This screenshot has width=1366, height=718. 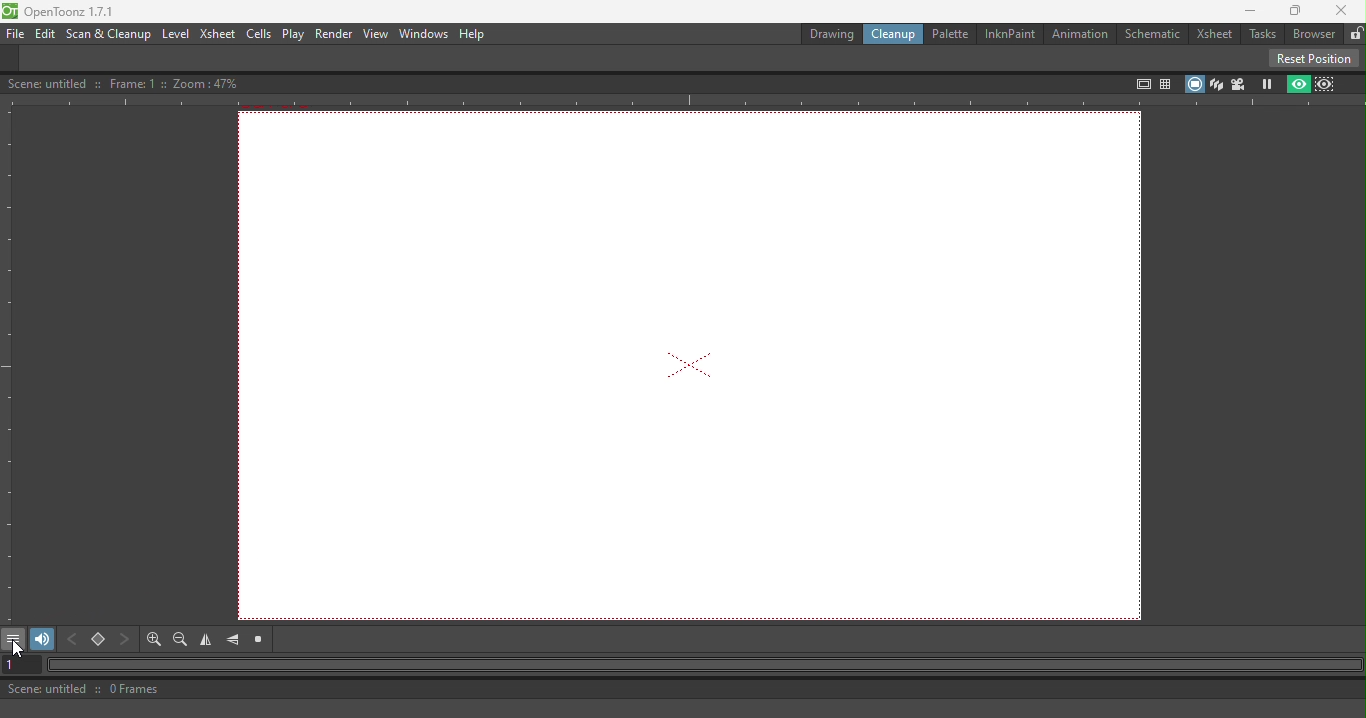 What do you see at coordinates (1214, 34) in the screenshot?
I see `Xsheet` at bounding box center [1214, 34].